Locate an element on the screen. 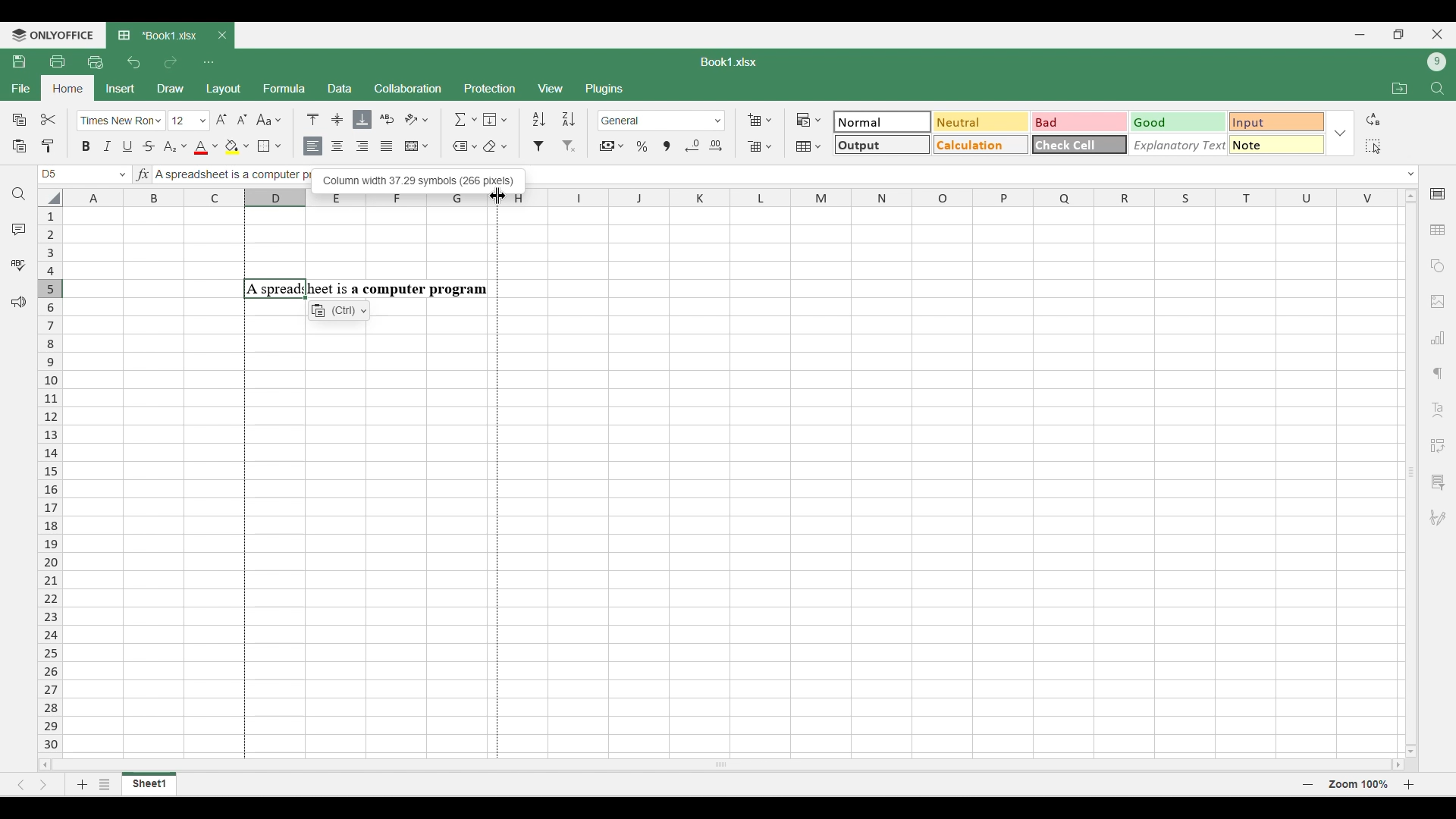  Horizontal slide bar is located at coordinates (722, 762).